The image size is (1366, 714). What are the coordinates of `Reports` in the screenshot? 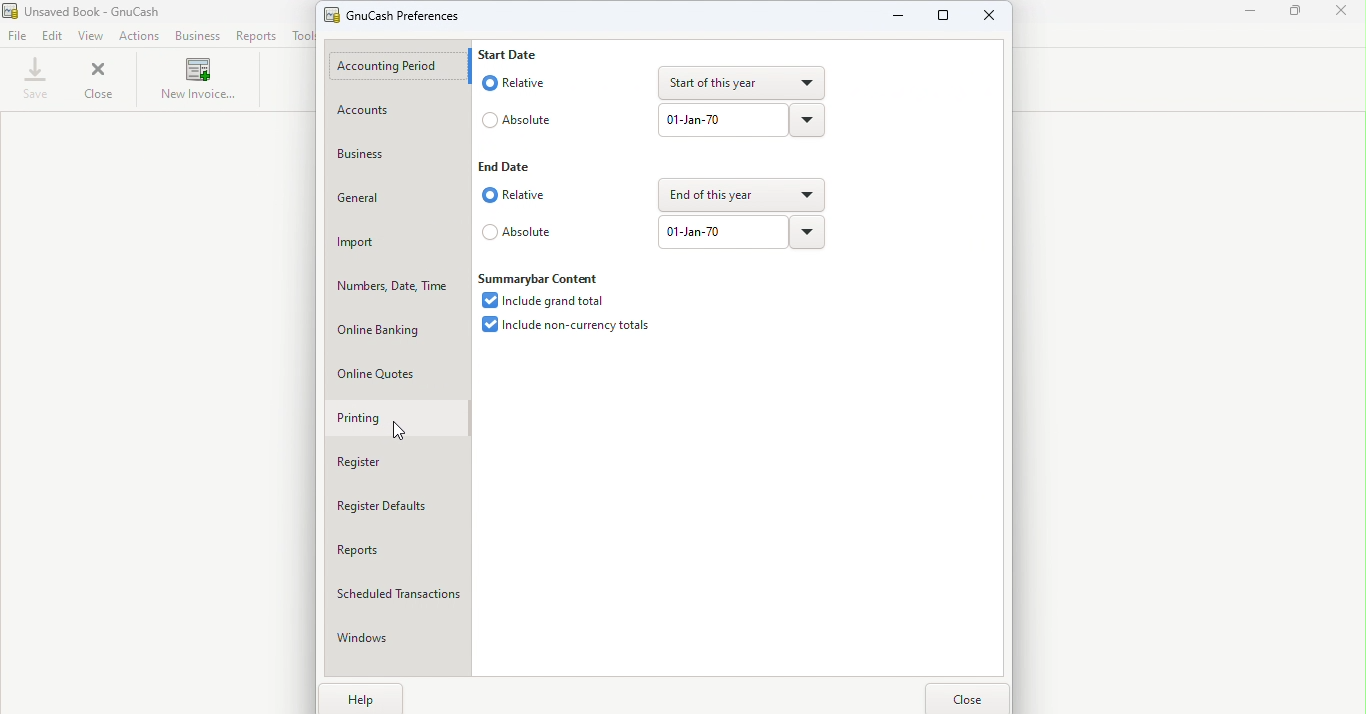 It's located at (261, 36).